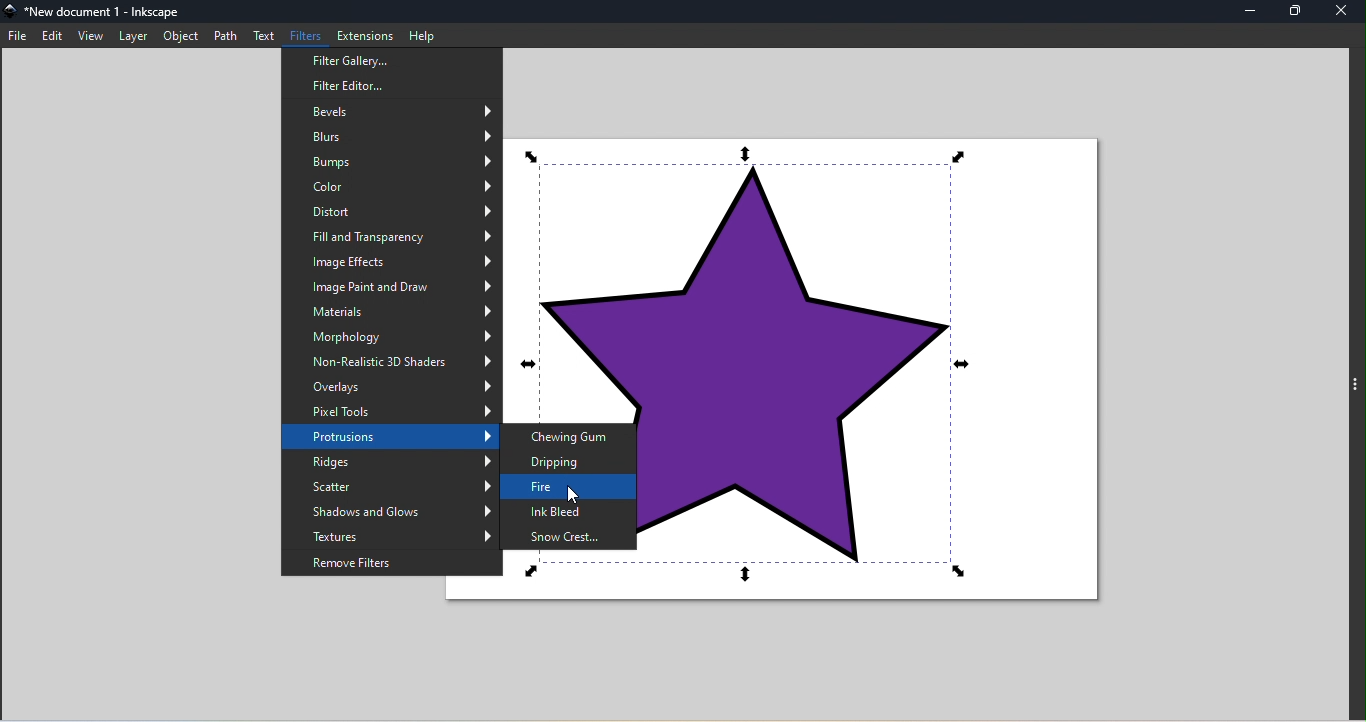 This screenshot has height=722, width=1366. I want to click on Image paint and draw, so click(391, 287).